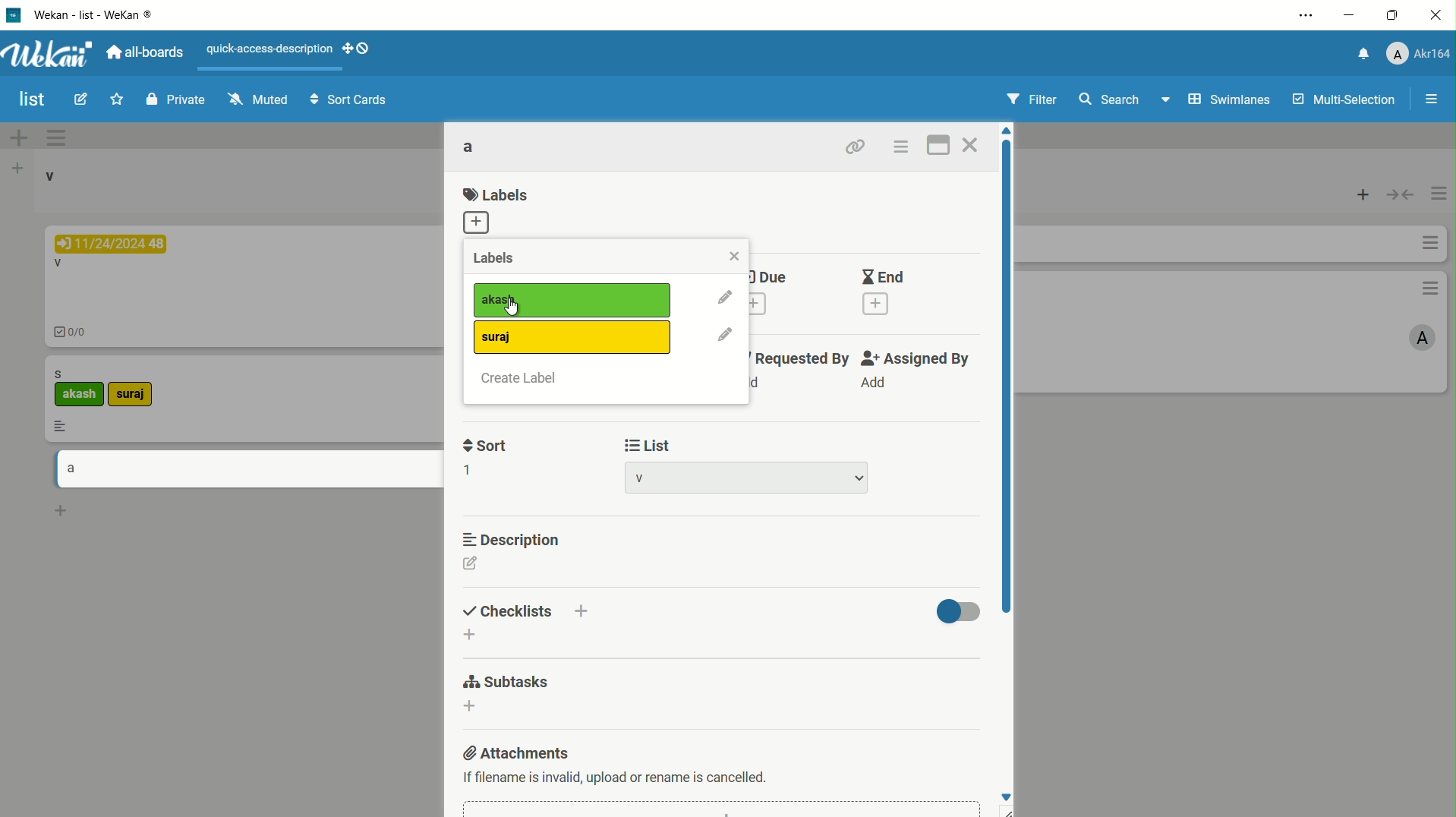  What do you see at coordinates (116, 99) in the screenshot?
I see `star` at bounding box center [116, 99].